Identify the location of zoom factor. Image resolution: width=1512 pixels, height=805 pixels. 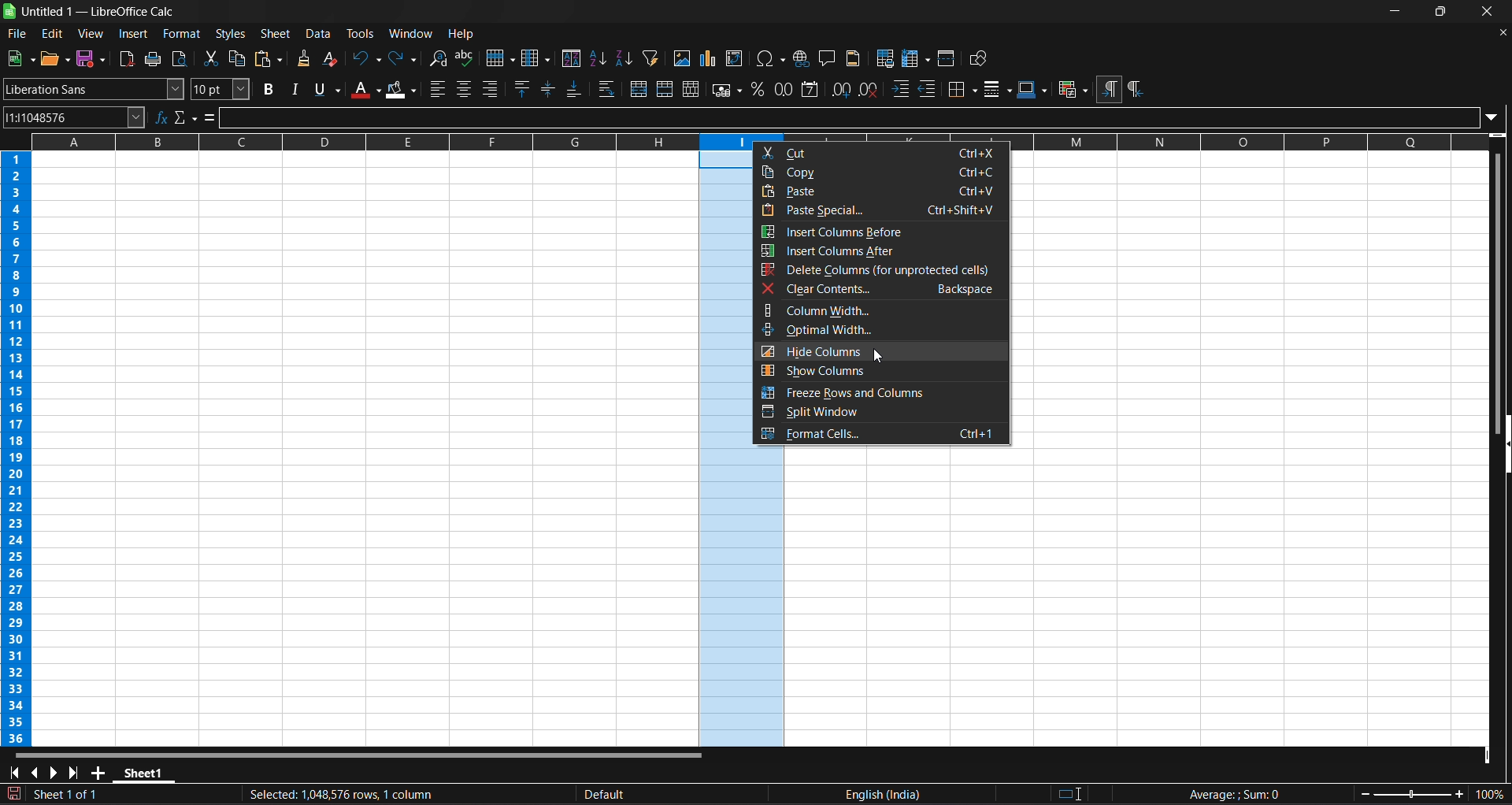
(1427, 793).